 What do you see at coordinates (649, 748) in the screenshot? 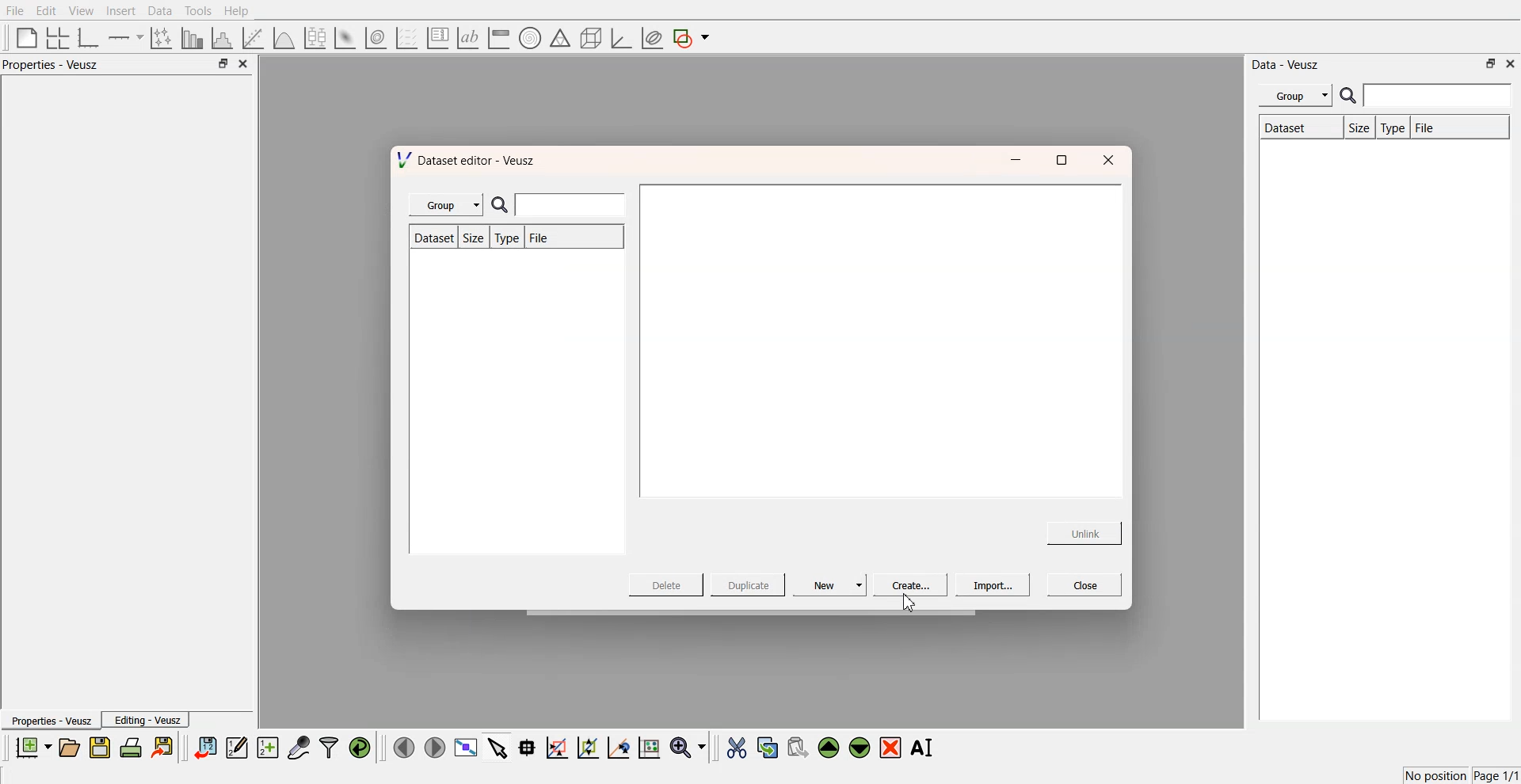
I see `reset the graph axes` at bounding box center [649, 748].